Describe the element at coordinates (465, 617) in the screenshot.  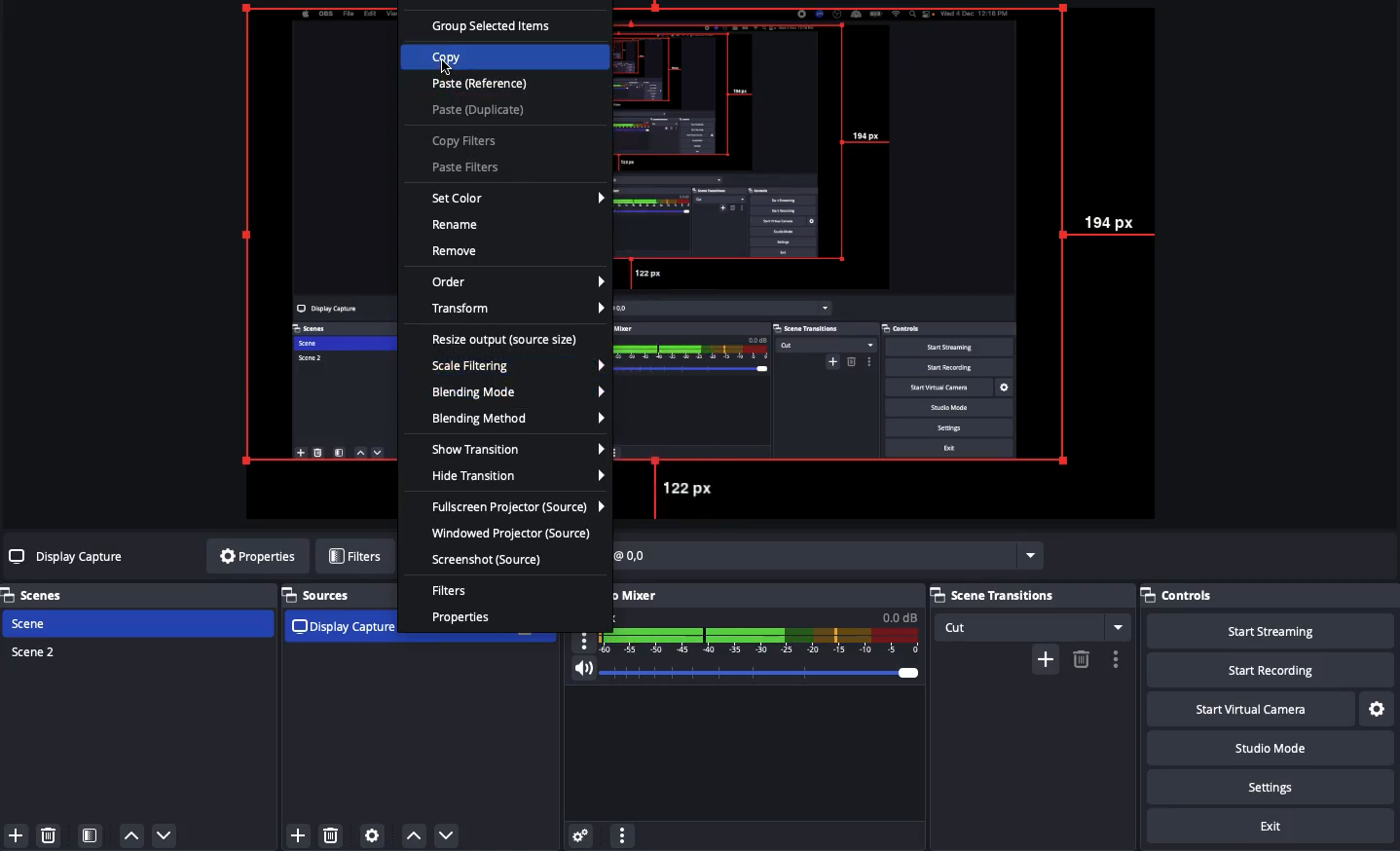
I see `Properties` at that location.